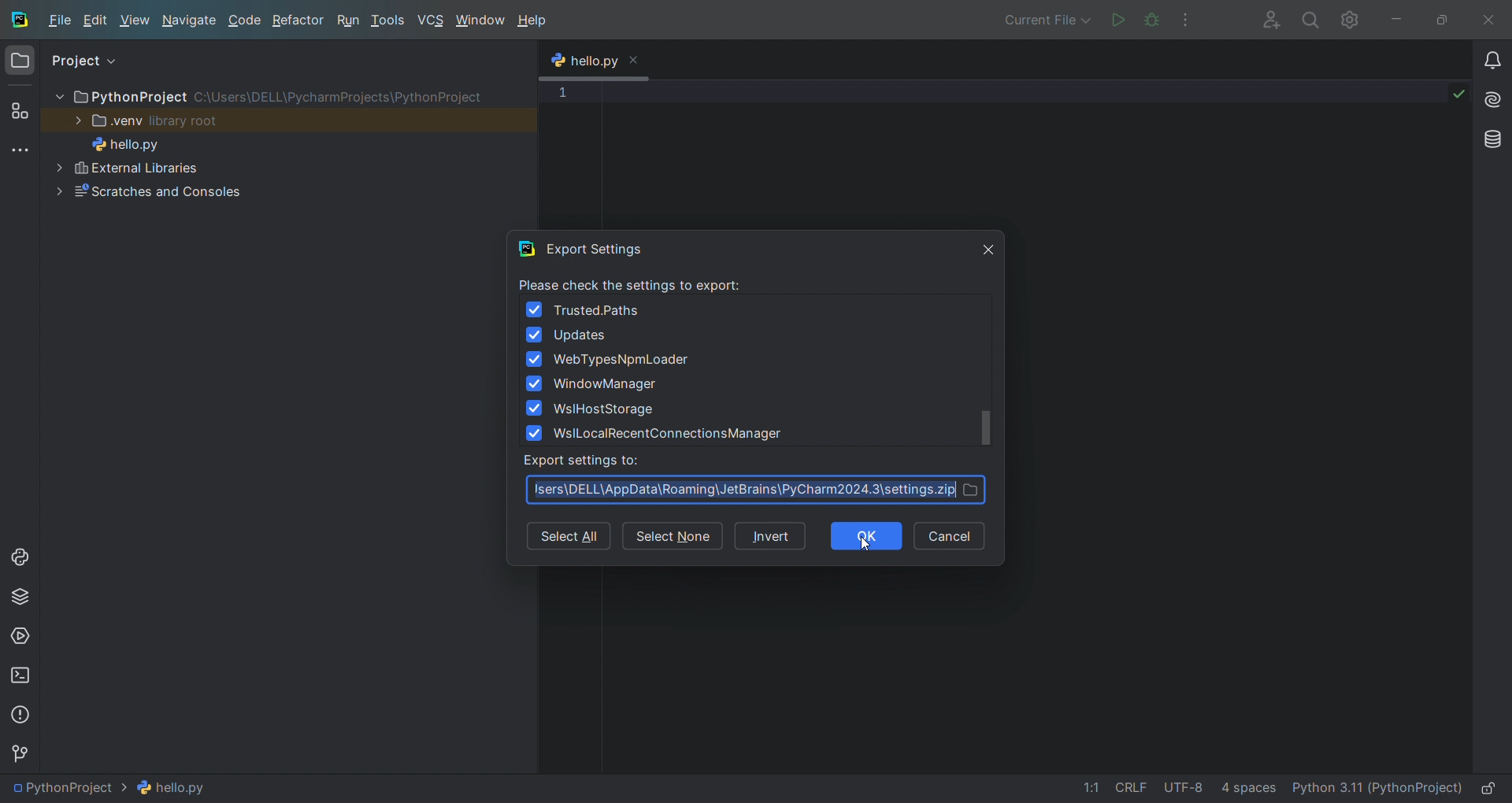 The width and height of the screenshot is (1512, 803). What do you see at coordinates (1488, 785) in the screenshot?
I see `lock` at bounding box center [1488, 785].